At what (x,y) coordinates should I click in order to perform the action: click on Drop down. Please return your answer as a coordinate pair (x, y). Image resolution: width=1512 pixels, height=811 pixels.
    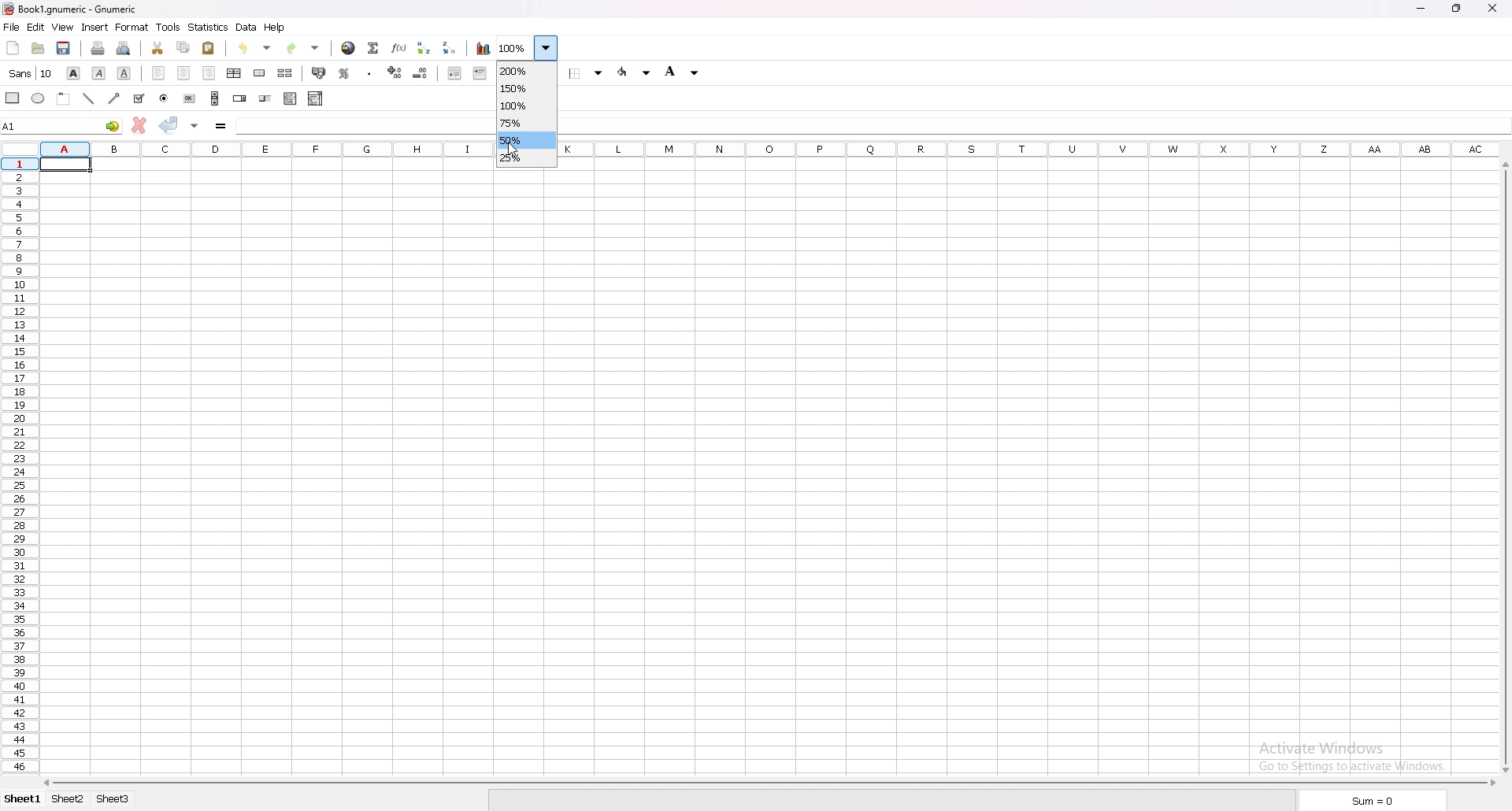
    Looking at the image, I should click on (320, 47).